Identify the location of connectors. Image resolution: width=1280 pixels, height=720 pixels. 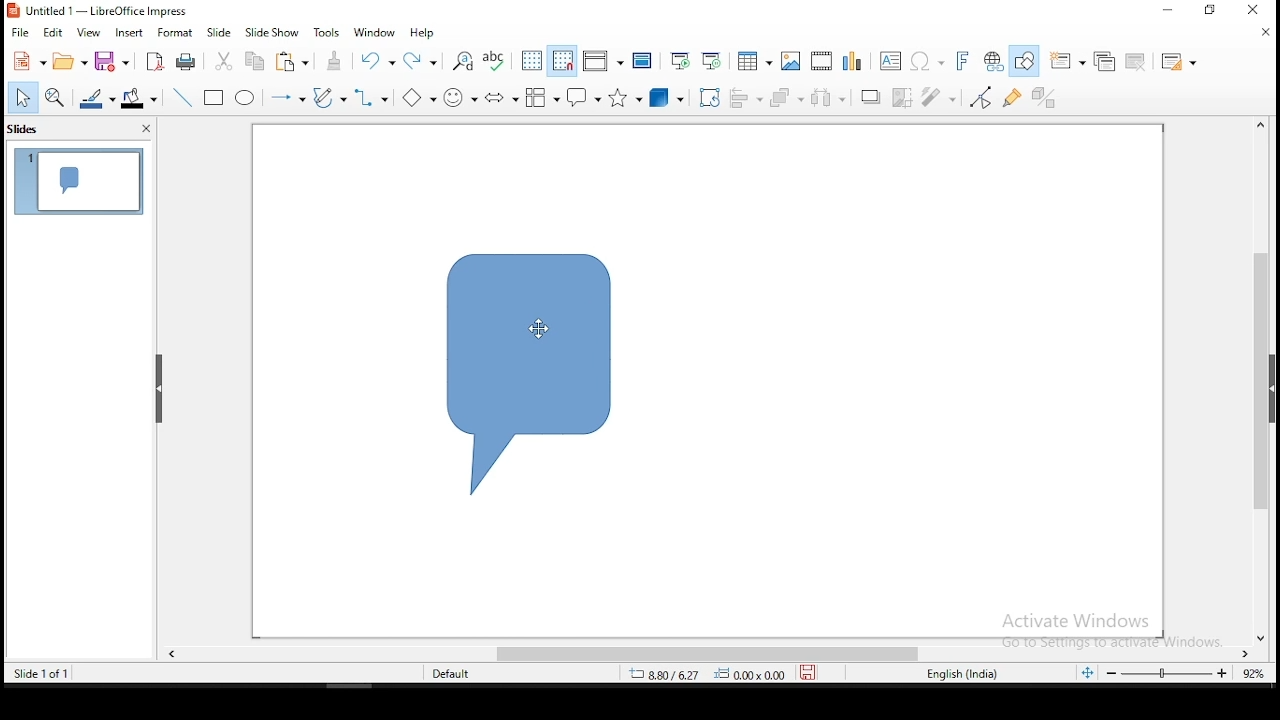
(371, 98).